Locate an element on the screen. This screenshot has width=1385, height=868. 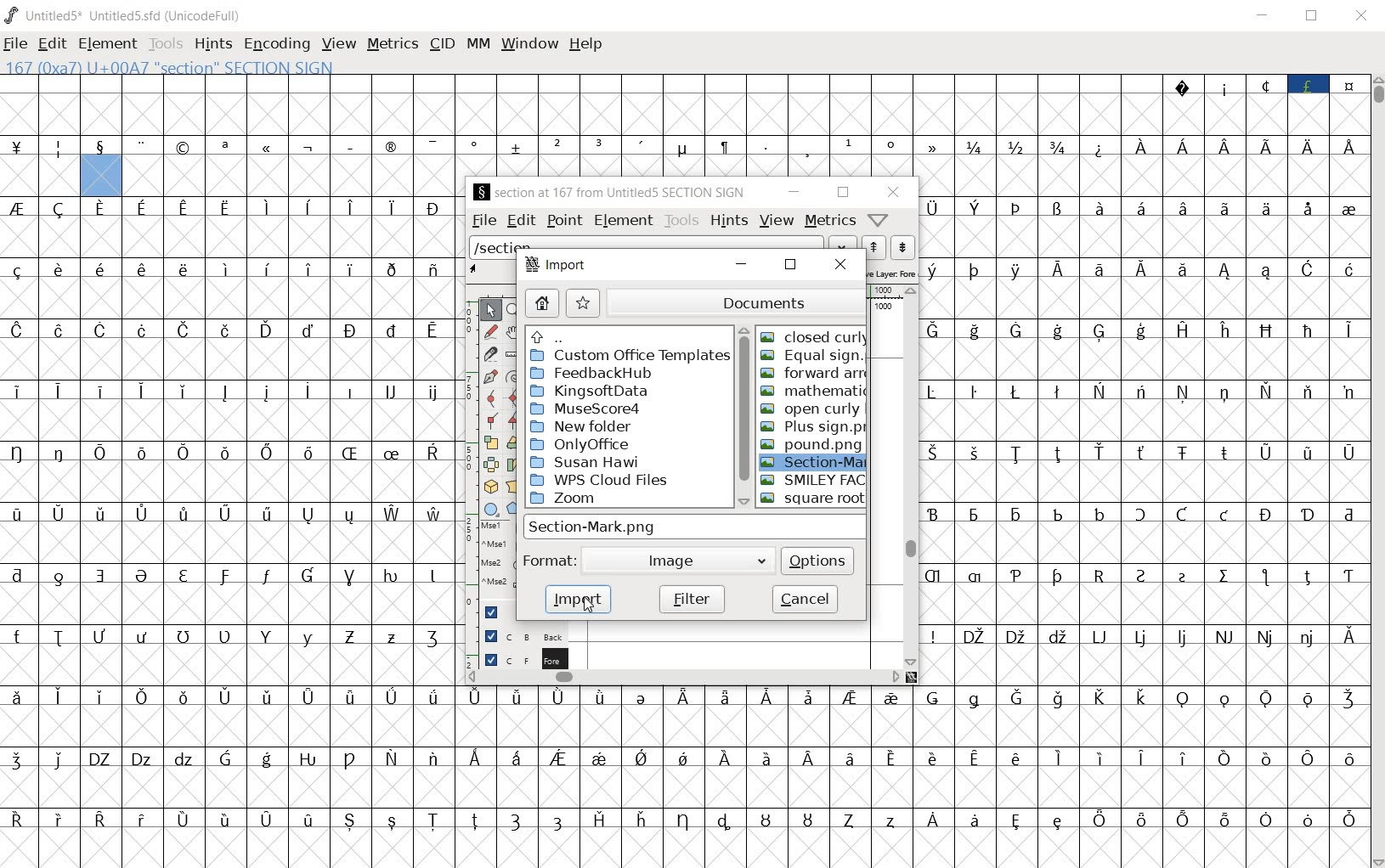
image is located at coordinates (680, 561).